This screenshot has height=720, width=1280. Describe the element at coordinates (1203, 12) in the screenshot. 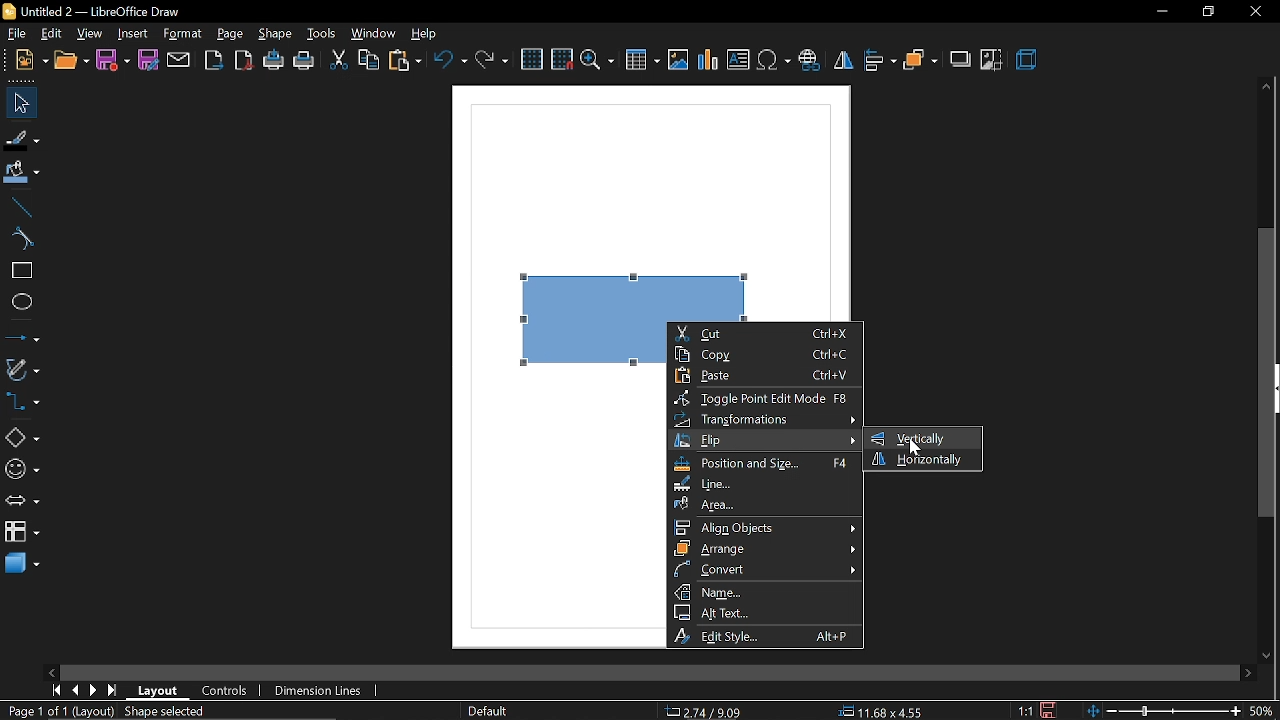

I see `restore down` at that location.